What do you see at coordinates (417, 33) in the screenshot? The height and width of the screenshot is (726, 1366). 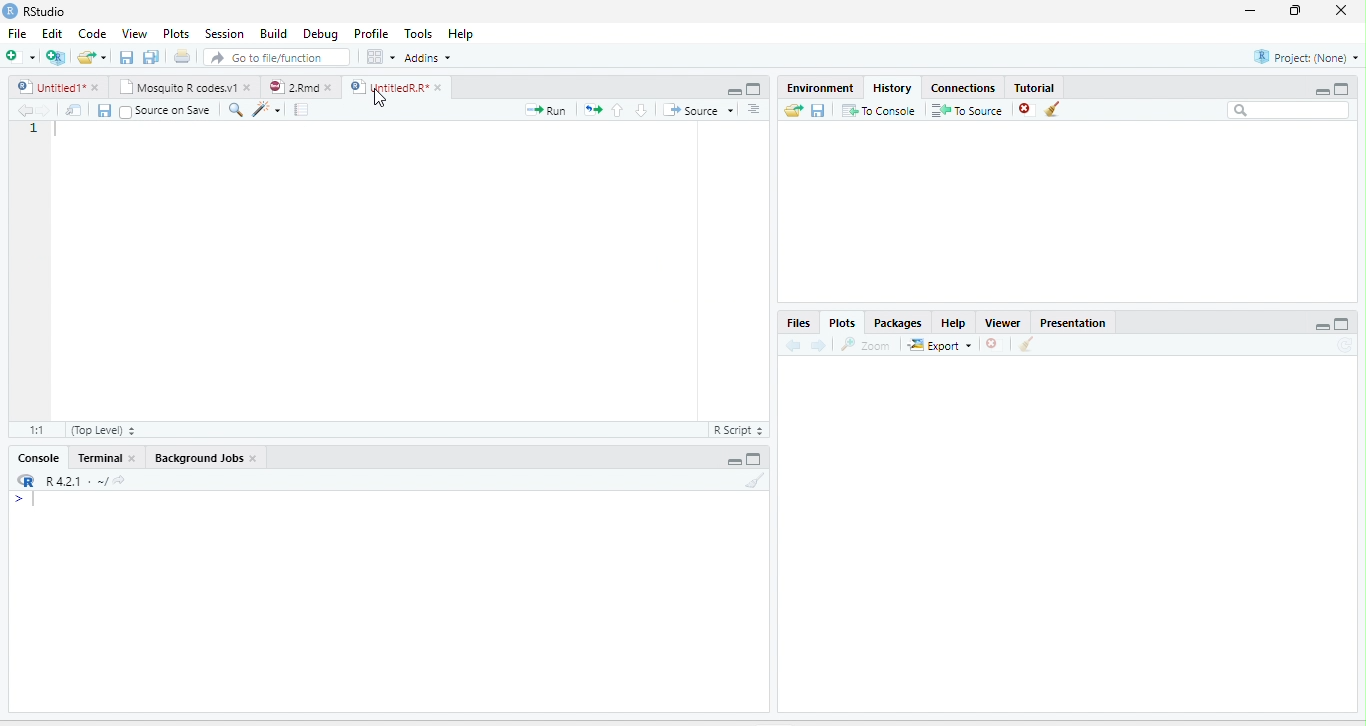 I see `Tools` at bounding box center [417, 33].